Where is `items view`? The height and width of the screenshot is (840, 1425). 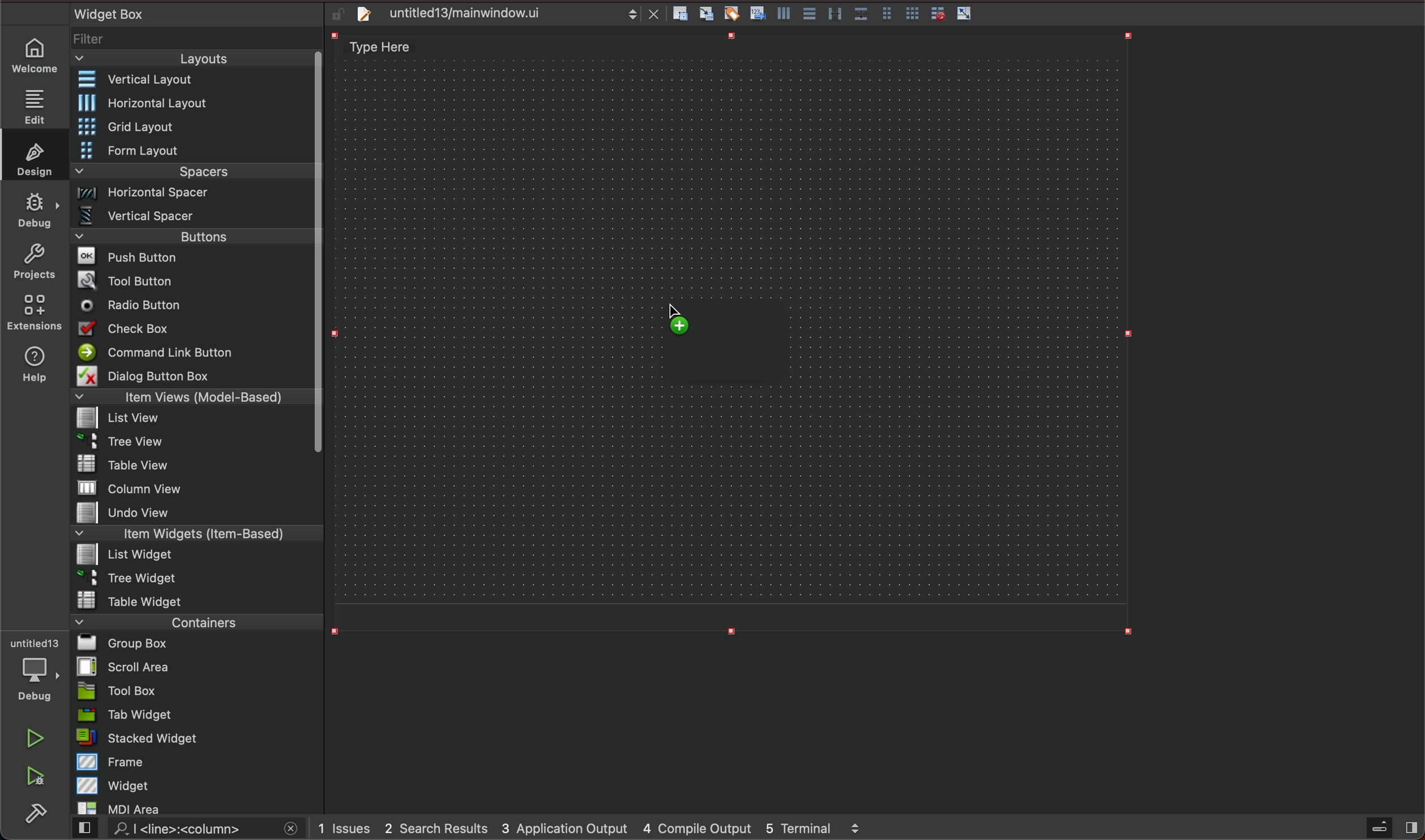 items view is located at coordinates (193, 397).